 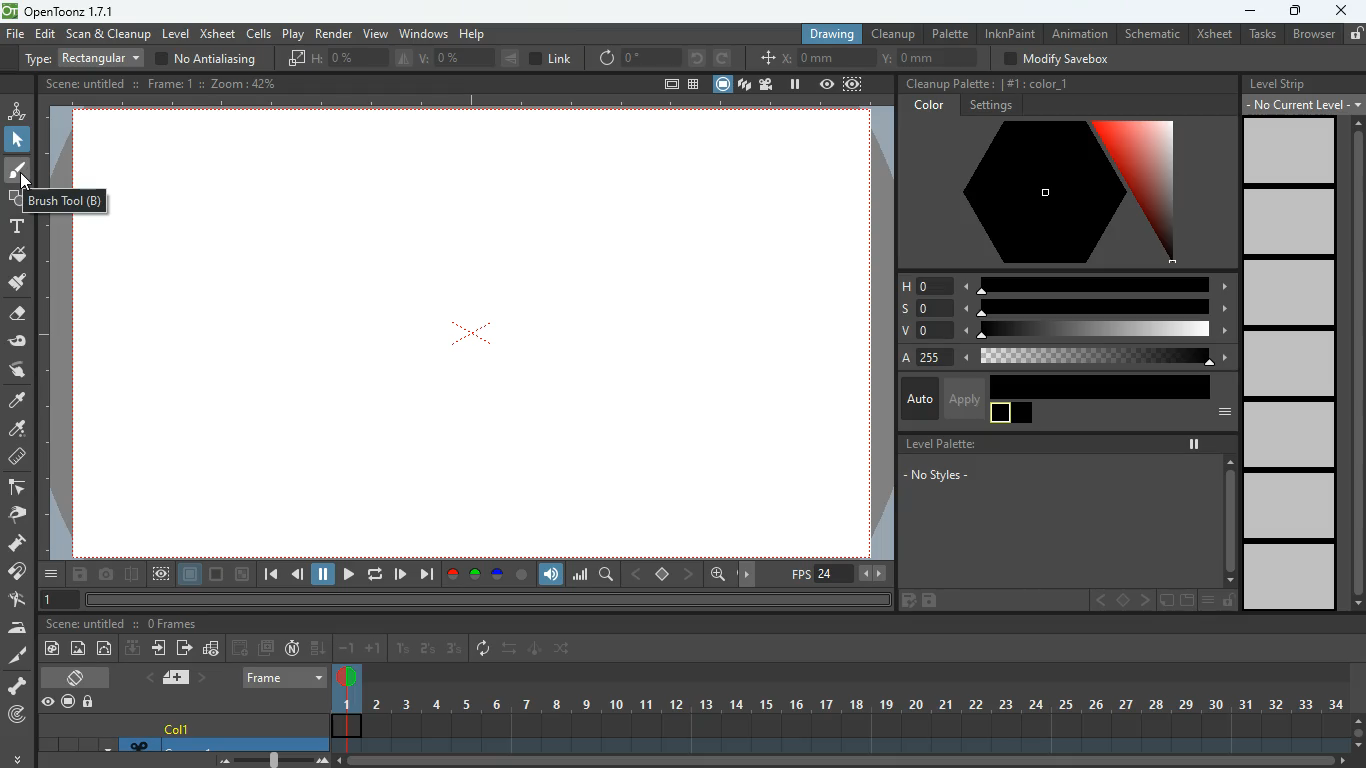 What do you see at coordinates (1304, 104) in the screenshot?
I see `no current level` at bounding box center [1304, 104].